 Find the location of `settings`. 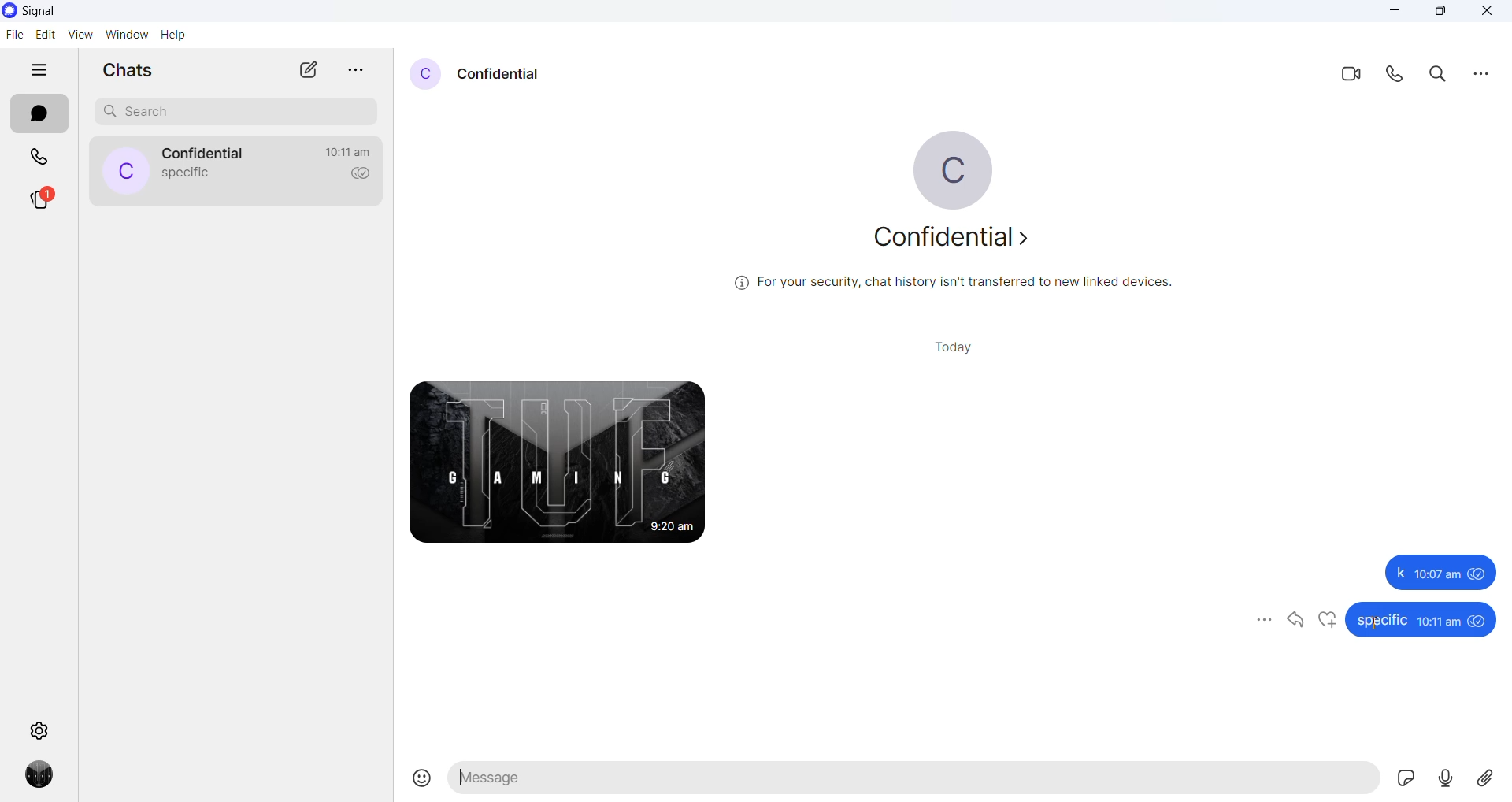

settings is located at coordinates (44, 730).